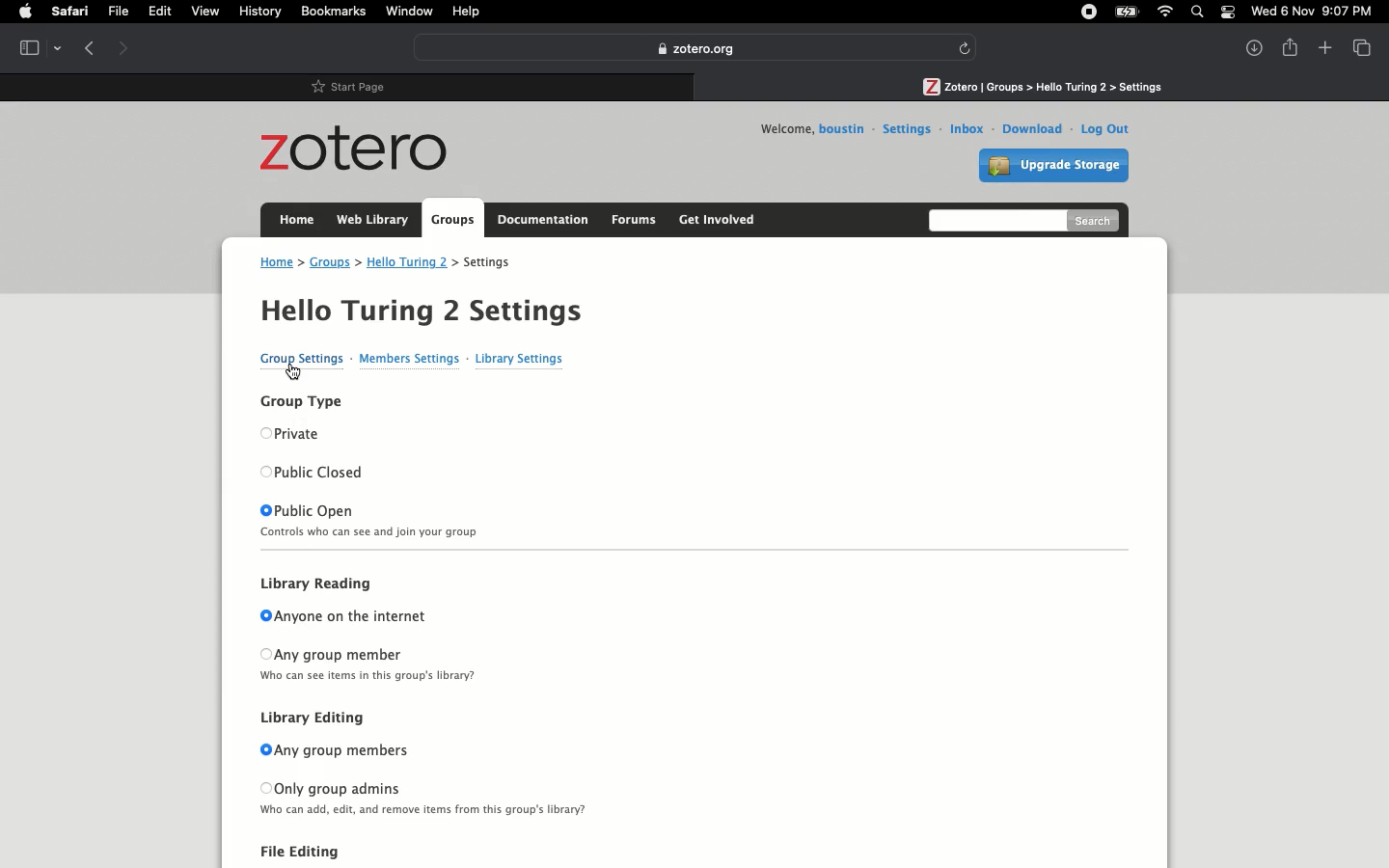  Describe the element at coordinates (1057, 168) in the screenshot. I see `Upgrade storage` at that location.